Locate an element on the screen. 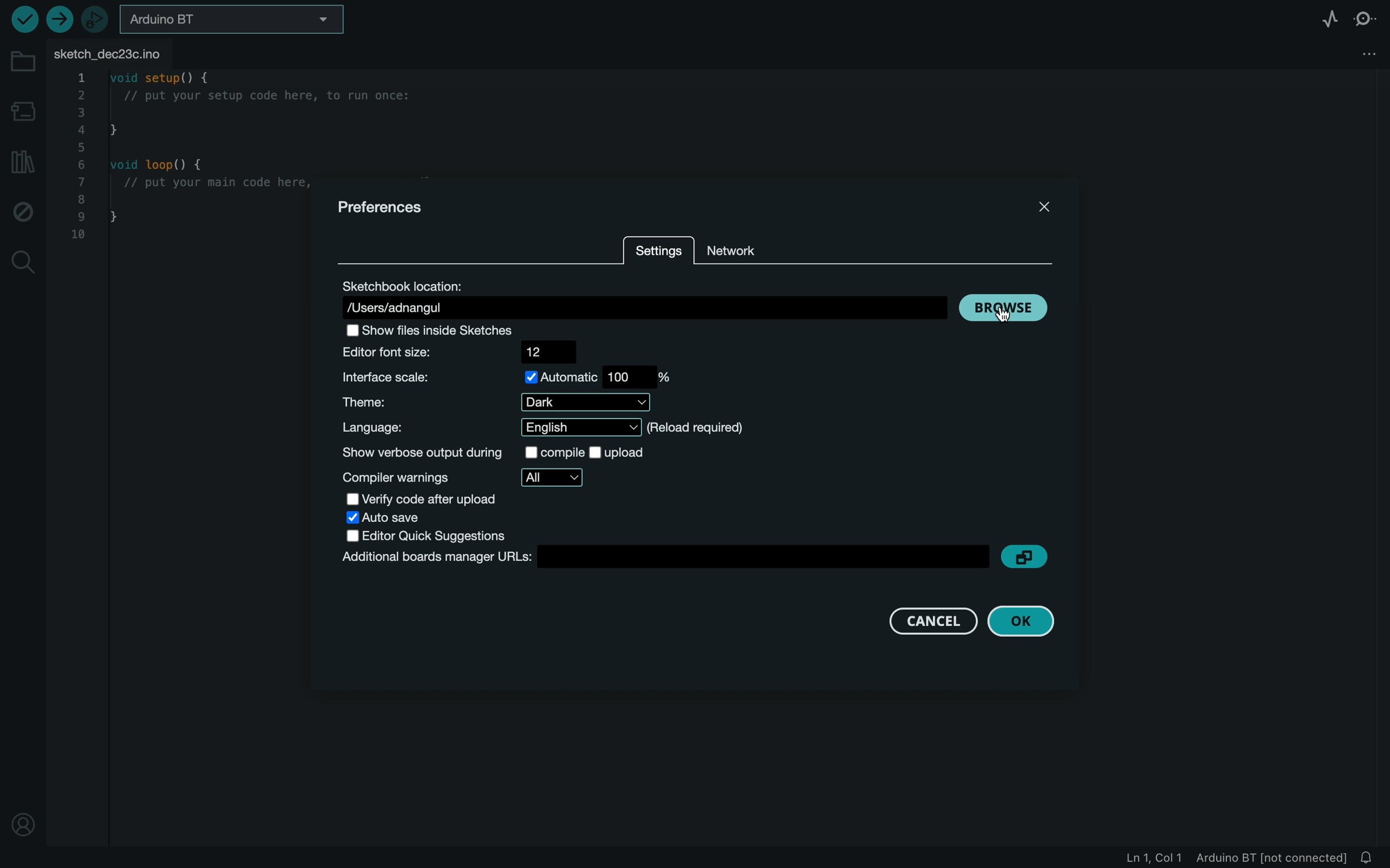  debugger is located at coordinates (98, 18).